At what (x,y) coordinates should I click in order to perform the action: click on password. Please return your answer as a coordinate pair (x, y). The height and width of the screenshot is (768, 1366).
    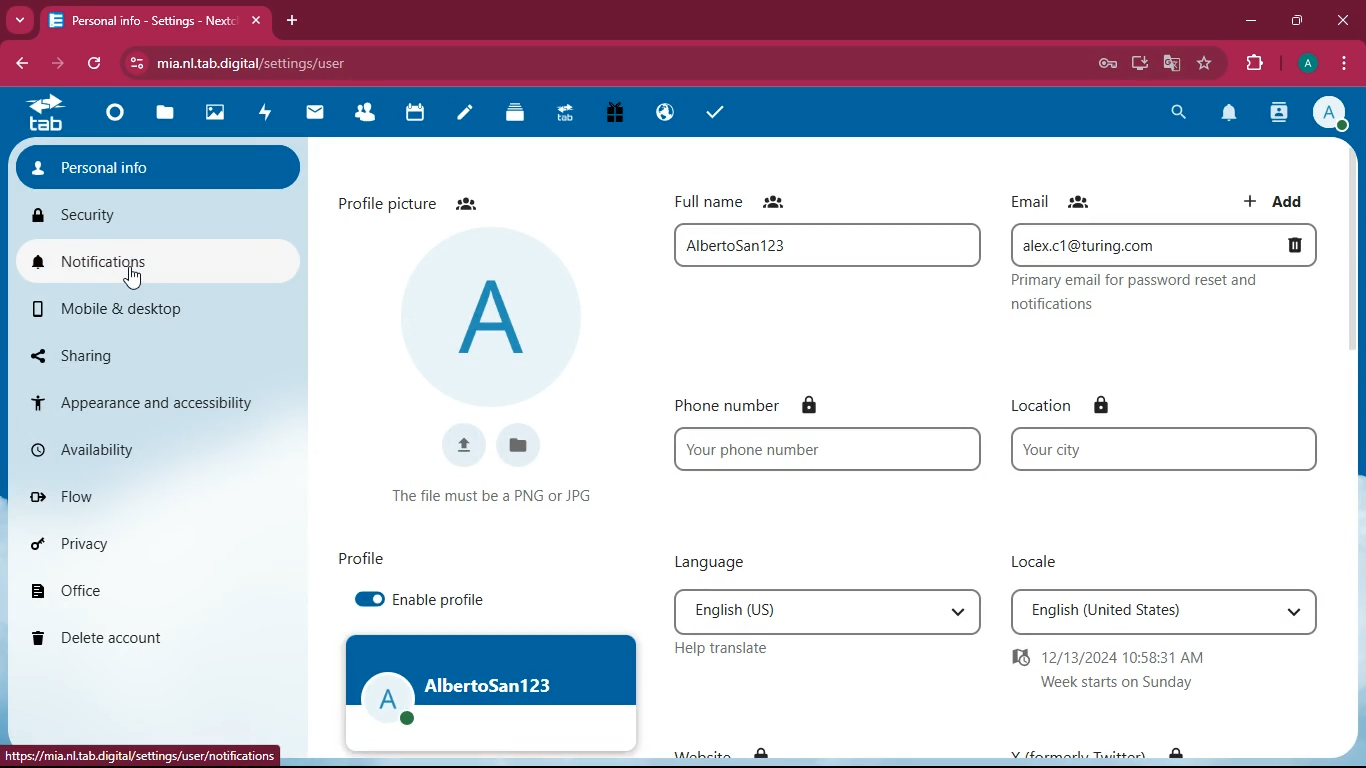
    Looking at the image, I should click on (1108, 65).